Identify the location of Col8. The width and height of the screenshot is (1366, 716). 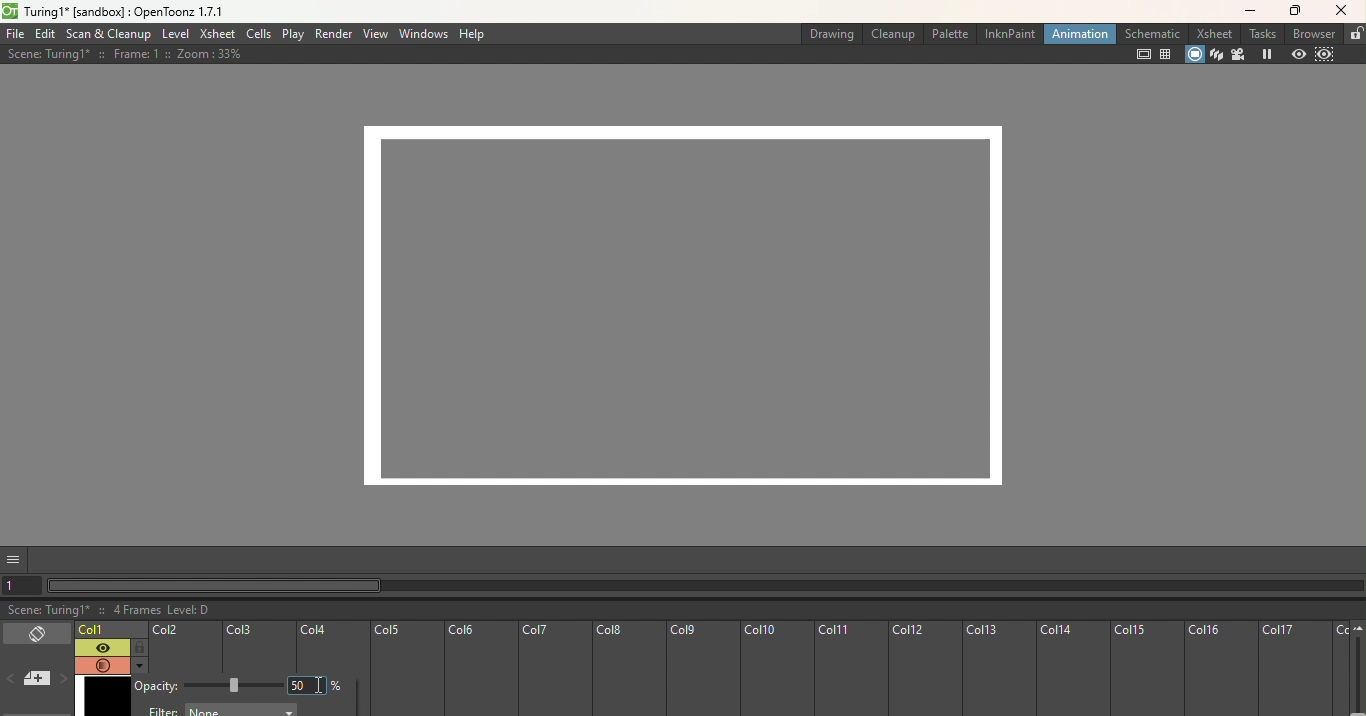
(627, 669).